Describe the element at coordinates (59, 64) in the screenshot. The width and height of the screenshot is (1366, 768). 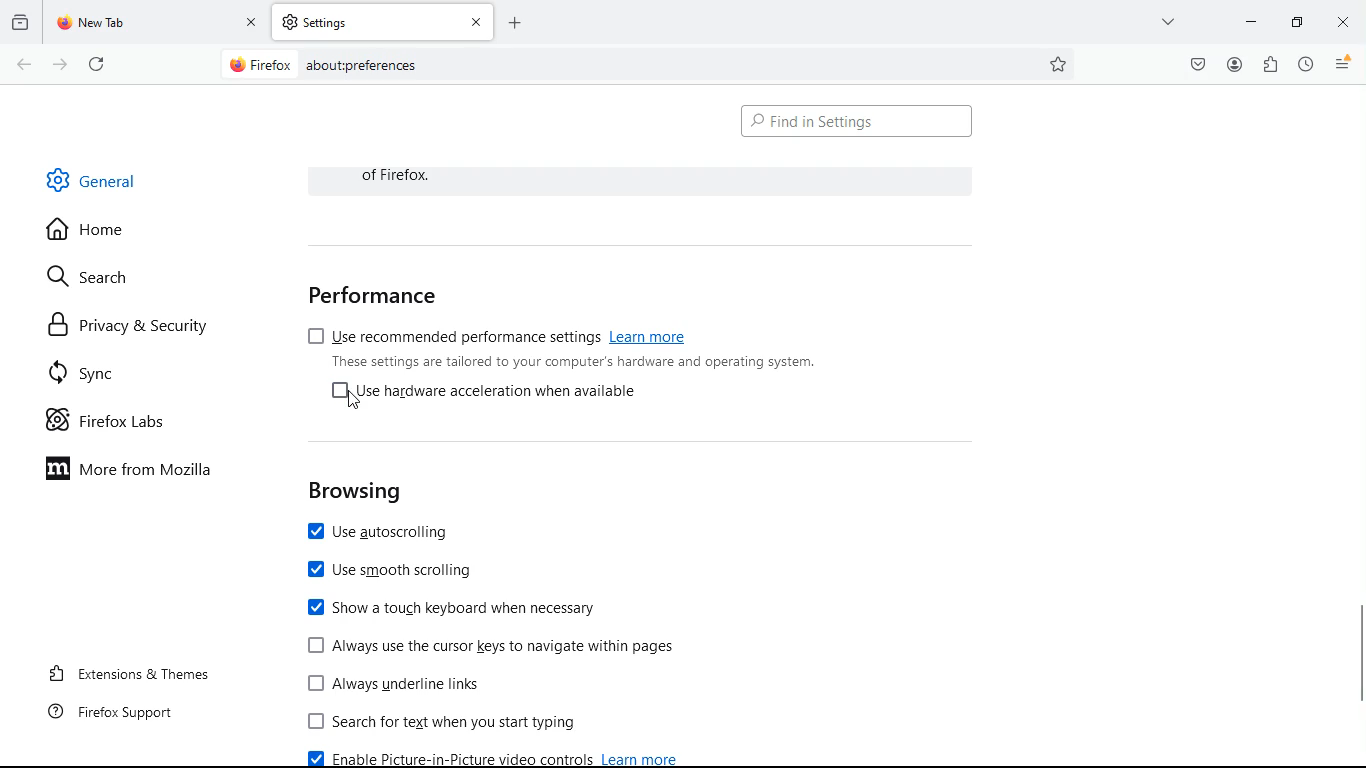
I see `forward` at that location.